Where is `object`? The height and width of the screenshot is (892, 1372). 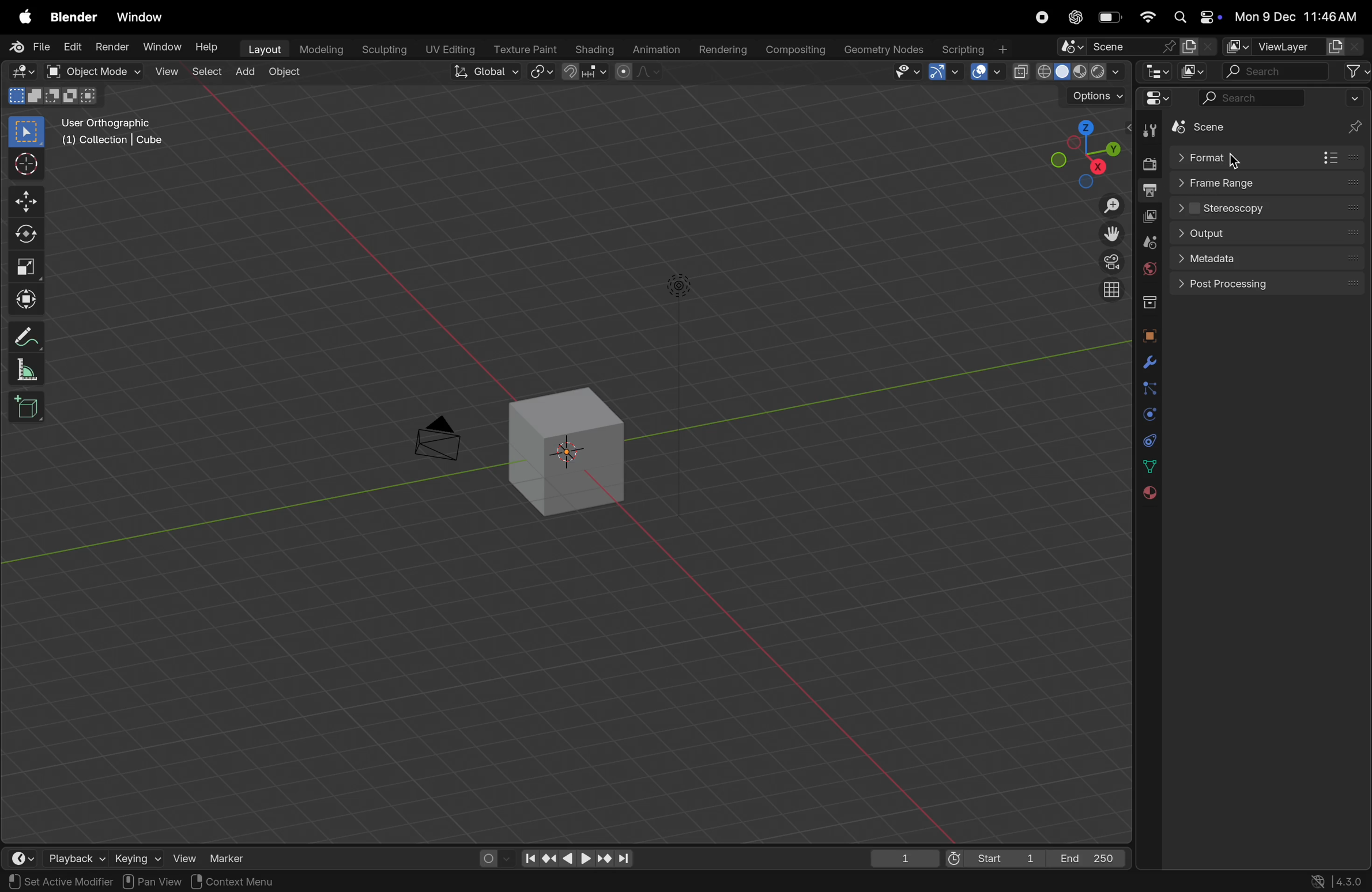 object is located at coordinates (282, 74).